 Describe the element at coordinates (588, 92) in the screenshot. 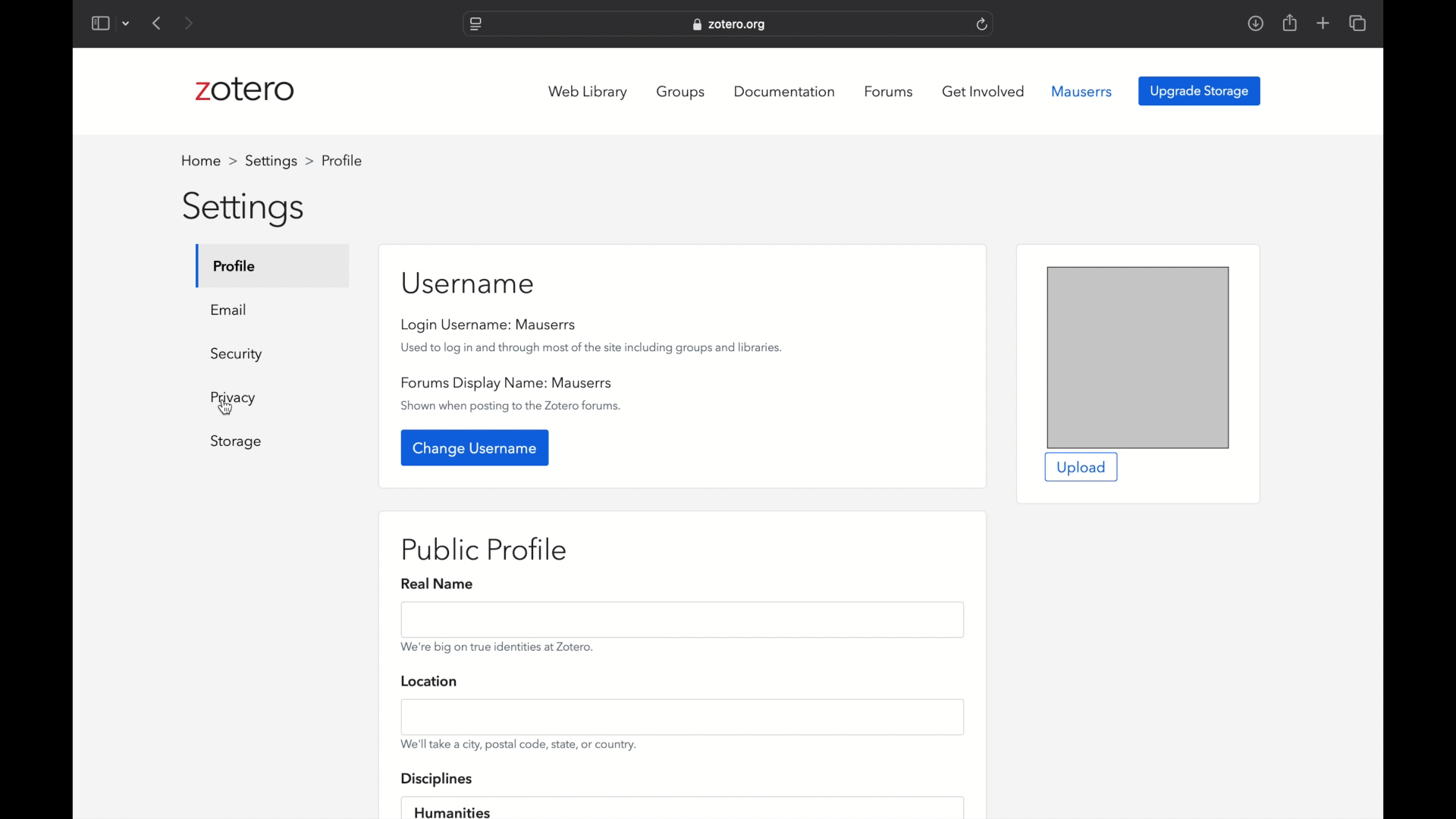

I see `web library` at that location.